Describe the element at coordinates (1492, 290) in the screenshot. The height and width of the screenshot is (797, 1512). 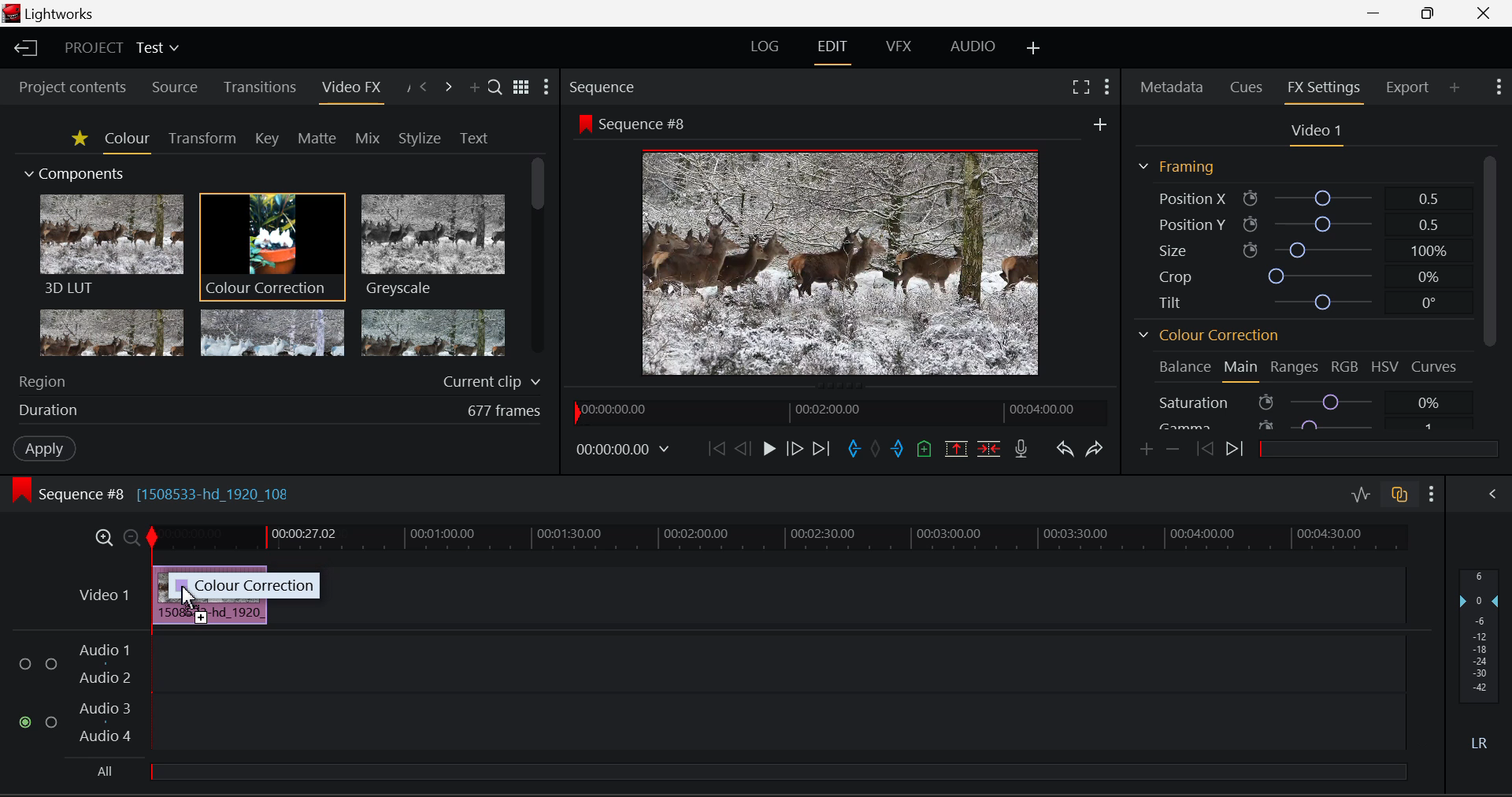
I see `Scroll Bar` at that location.